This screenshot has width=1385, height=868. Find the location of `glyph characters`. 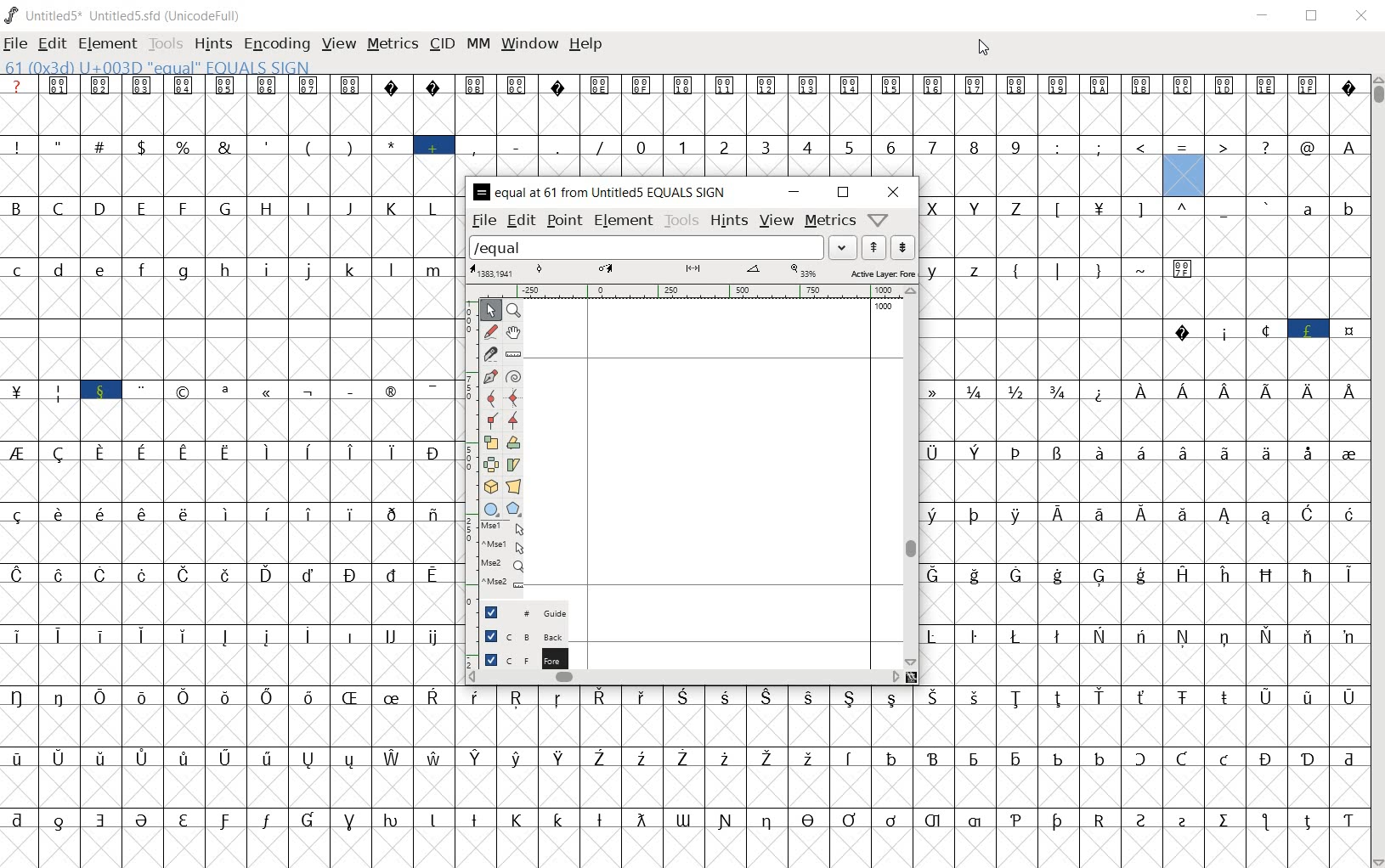

glyph characters is located at coordinates (806, 125).